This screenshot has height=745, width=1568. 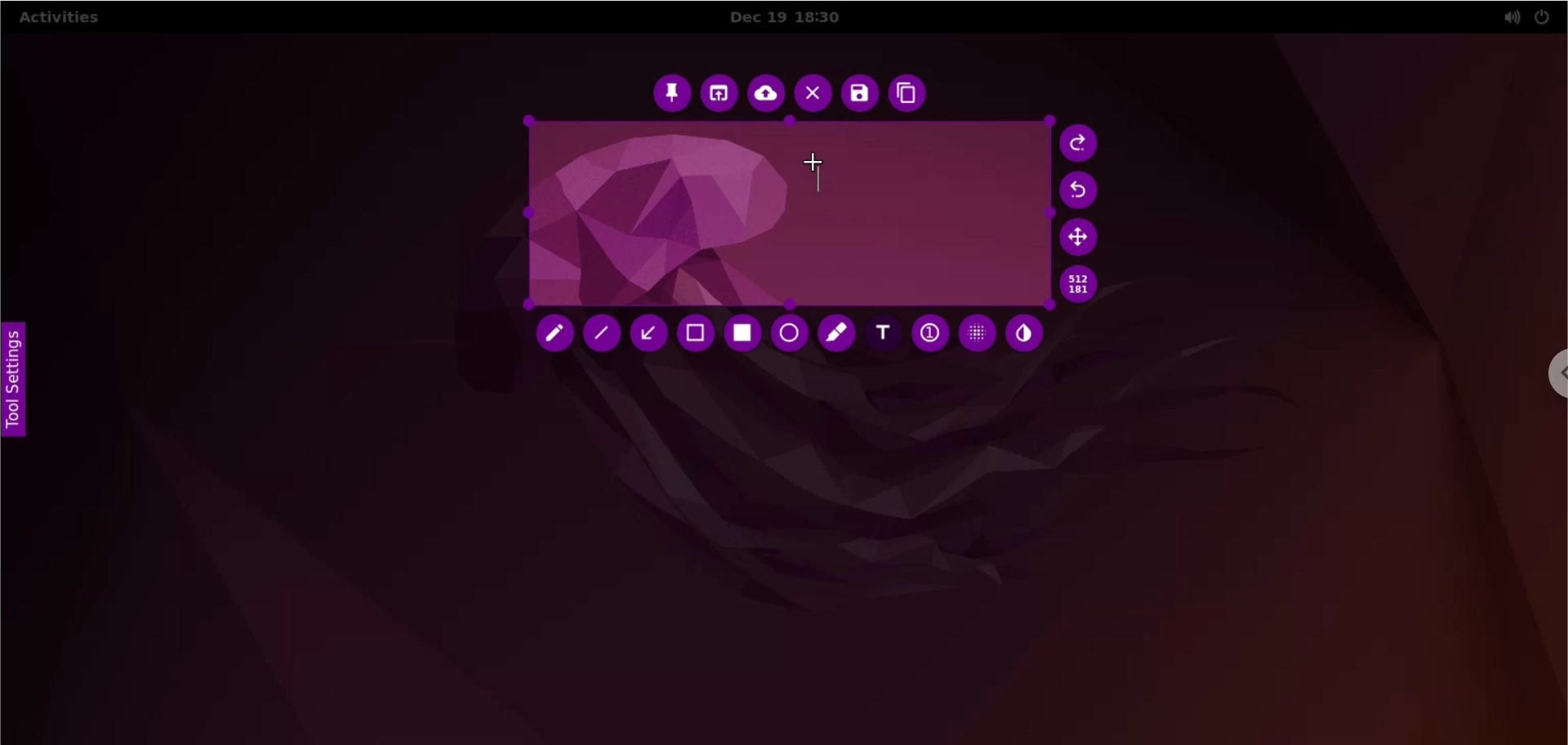 I want to click on upload, so click(x=764, y=94).